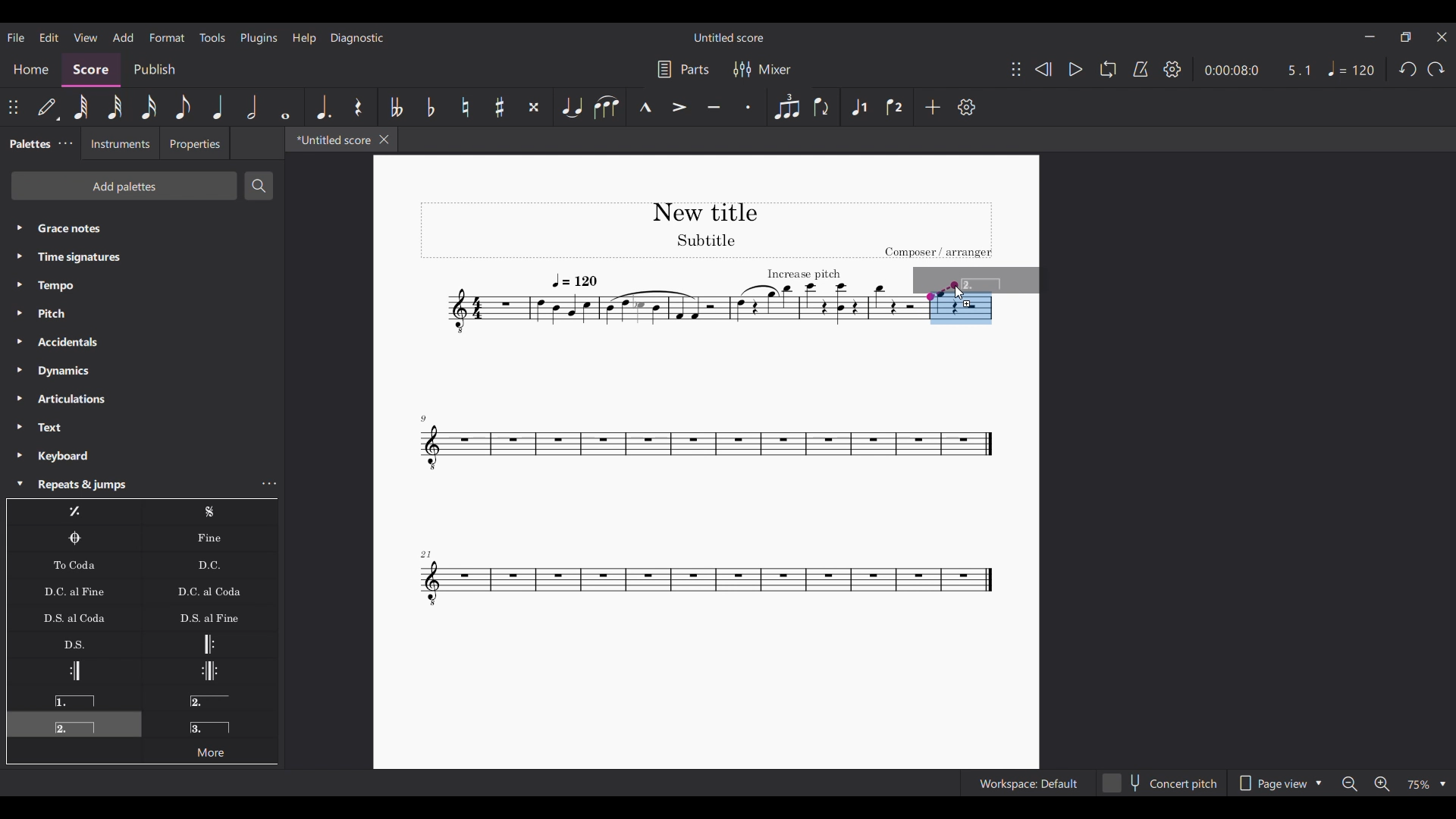 The height and width of the screenshot is (819, 1456). Describe the element at coordinates (209, 750) in the screenshot. I see `More` at that location.